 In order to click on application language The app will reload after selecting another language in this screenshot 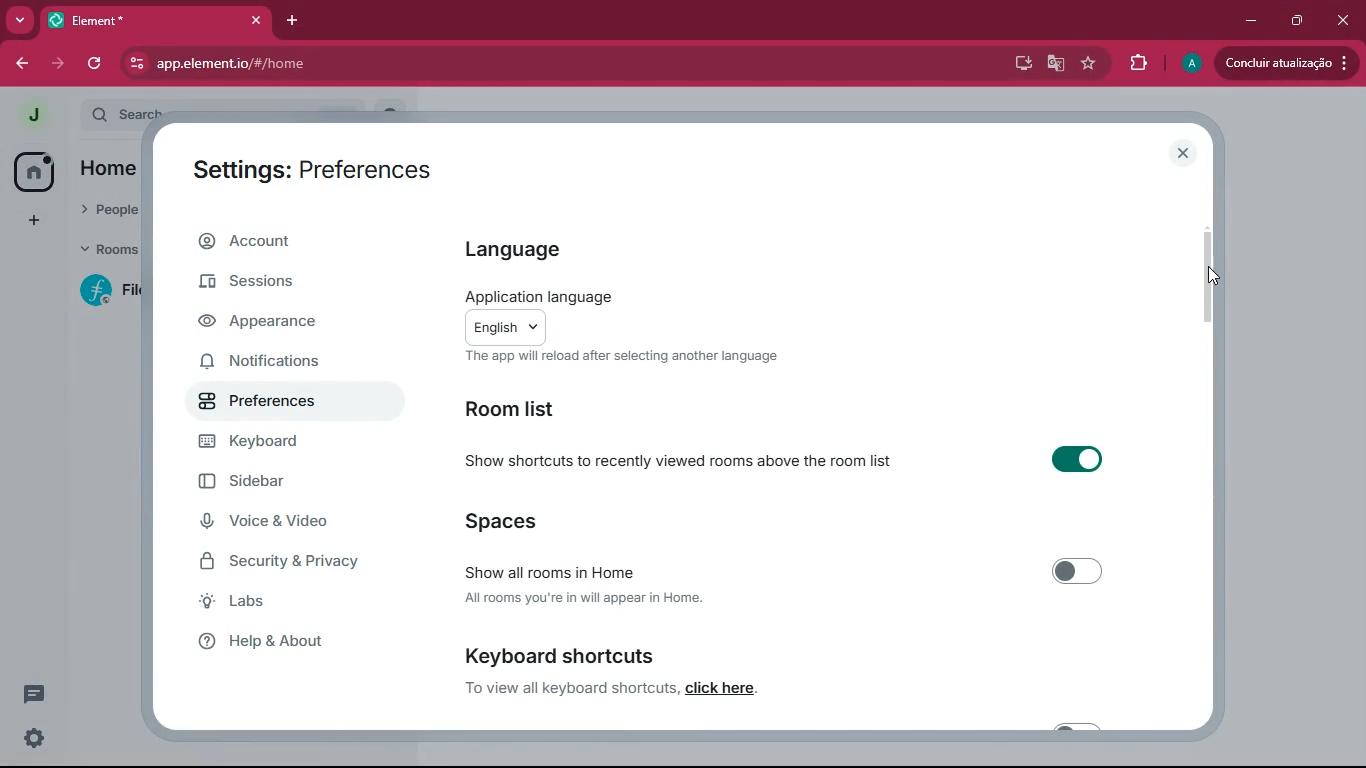, I will do `click(657, 311)`.